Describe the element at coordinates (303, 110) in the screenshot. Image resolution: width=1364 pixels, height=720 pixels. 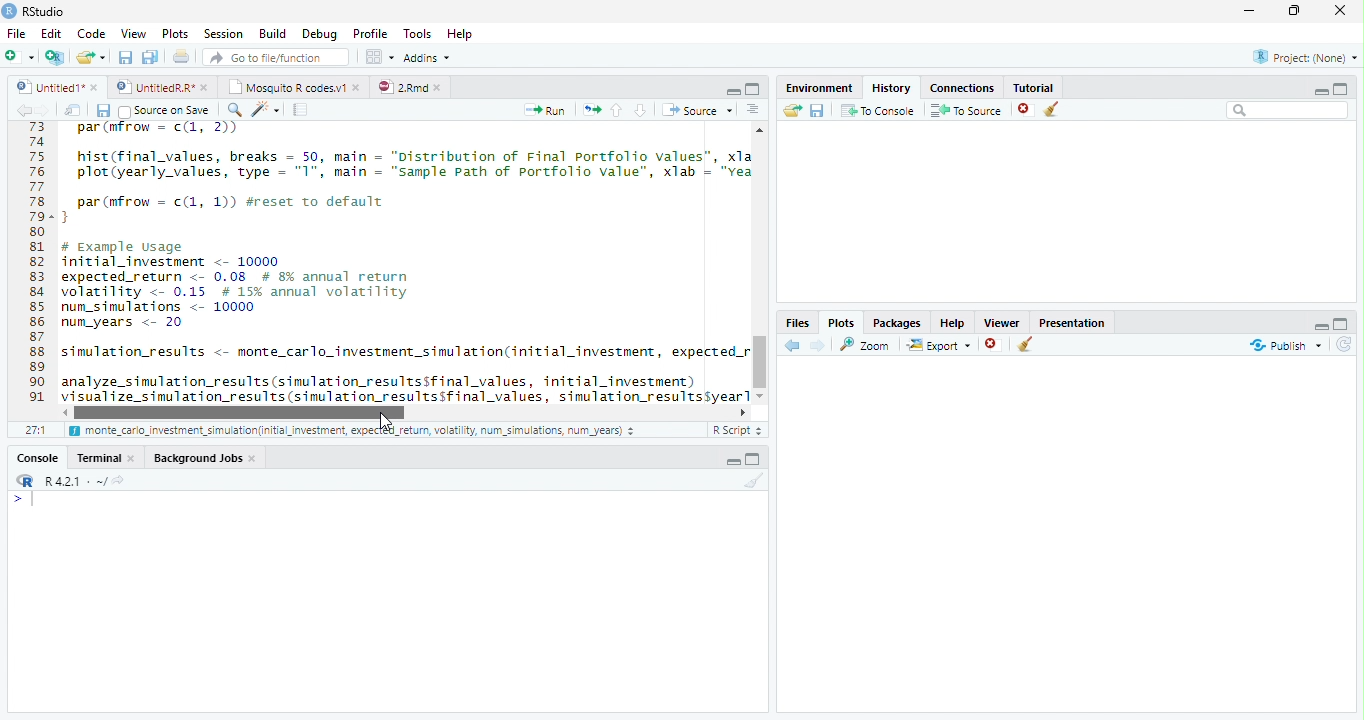
I see `Compile Report` at that location.